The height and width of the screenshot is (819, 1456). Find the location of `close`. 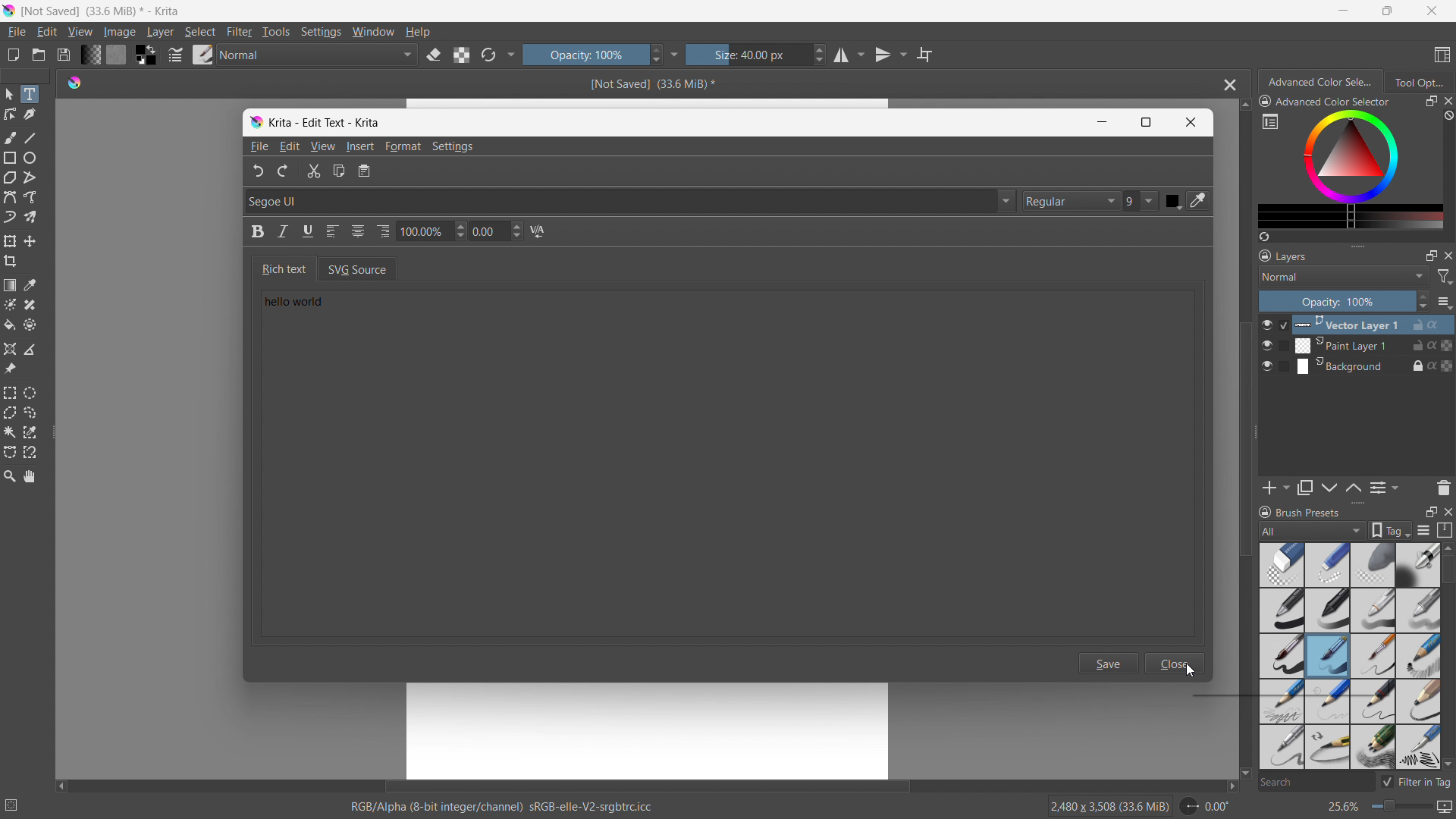

close is located at coordinates (1447, 255).